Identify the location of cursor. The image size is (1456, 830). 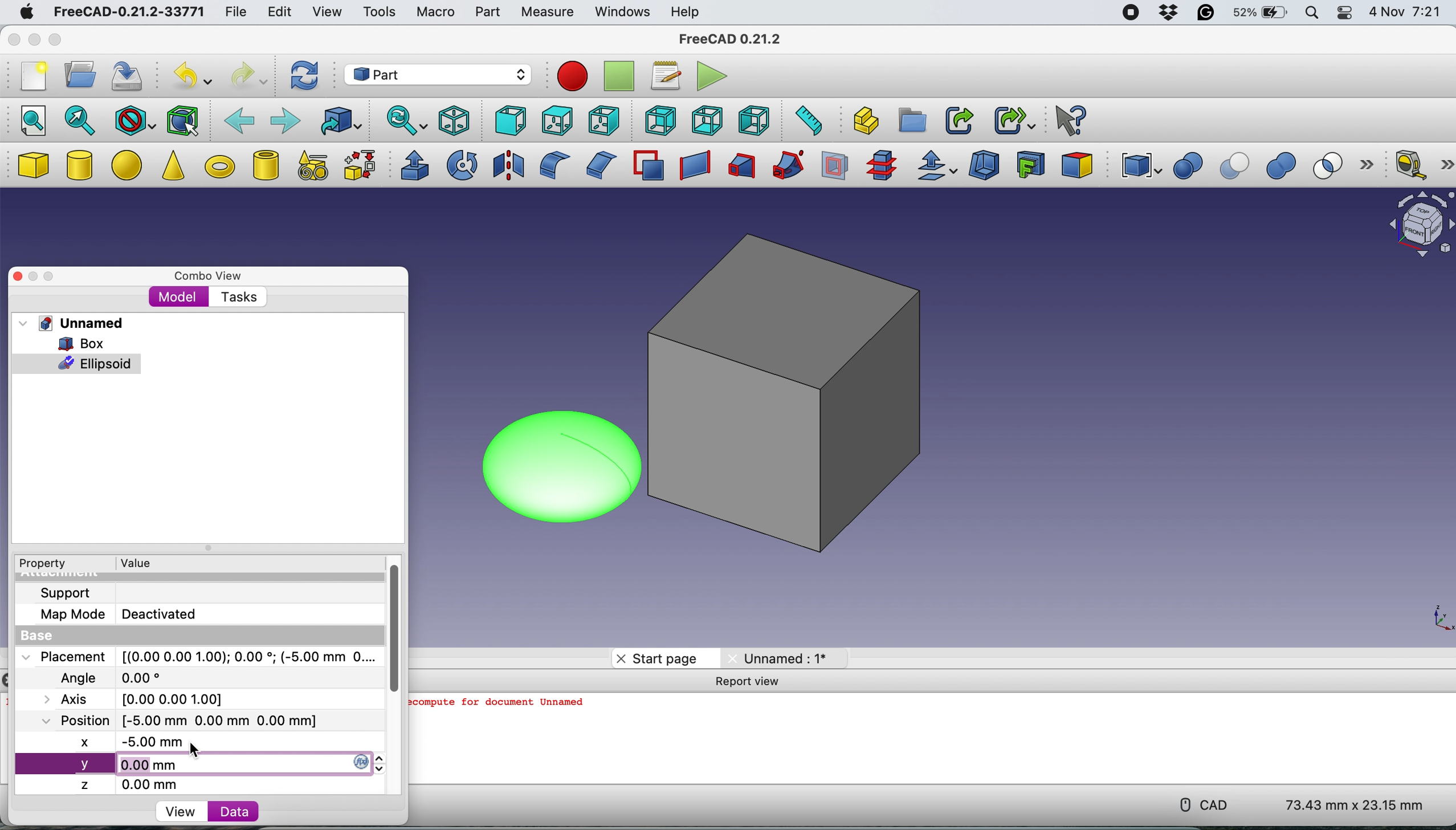
(195, 750).